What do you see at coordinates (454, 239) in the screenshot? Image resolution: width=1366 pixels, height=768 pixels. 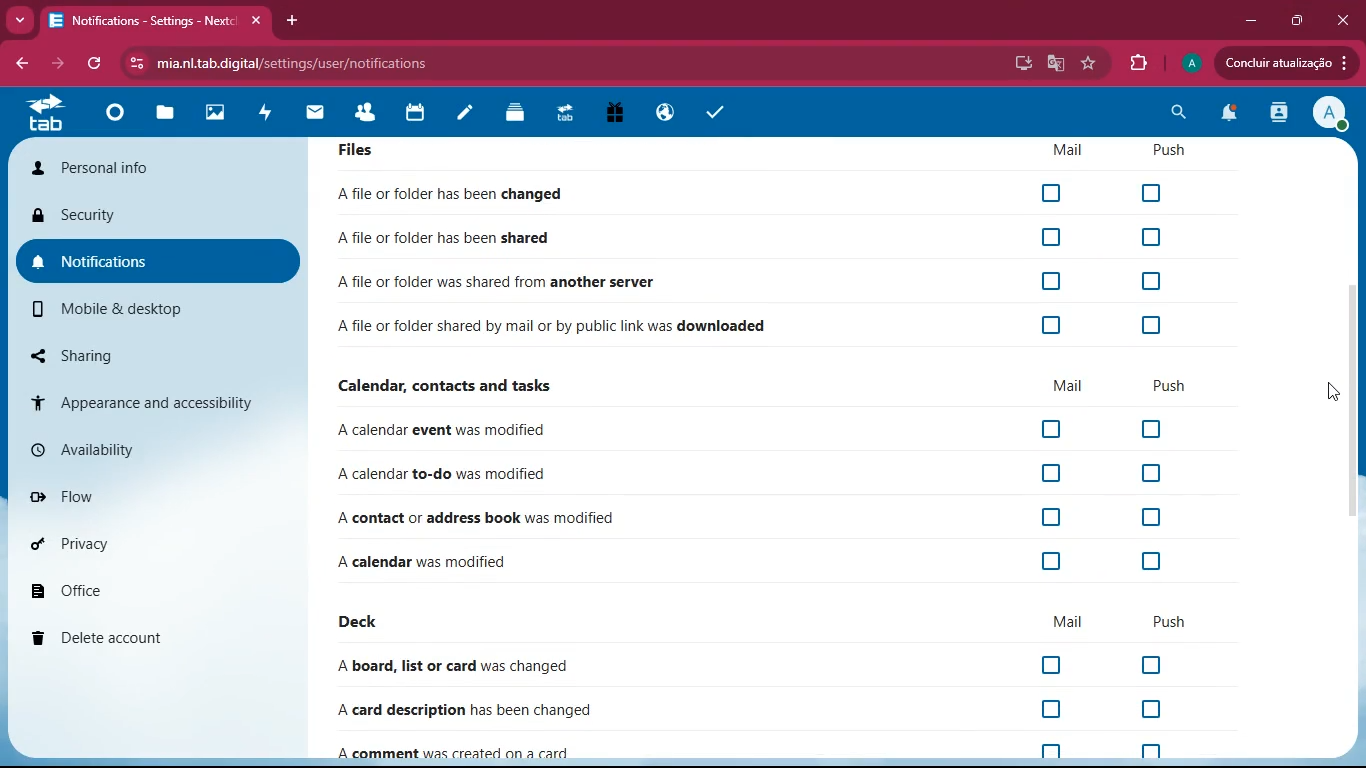 I see `file shared` at bounding box center [454, 239].